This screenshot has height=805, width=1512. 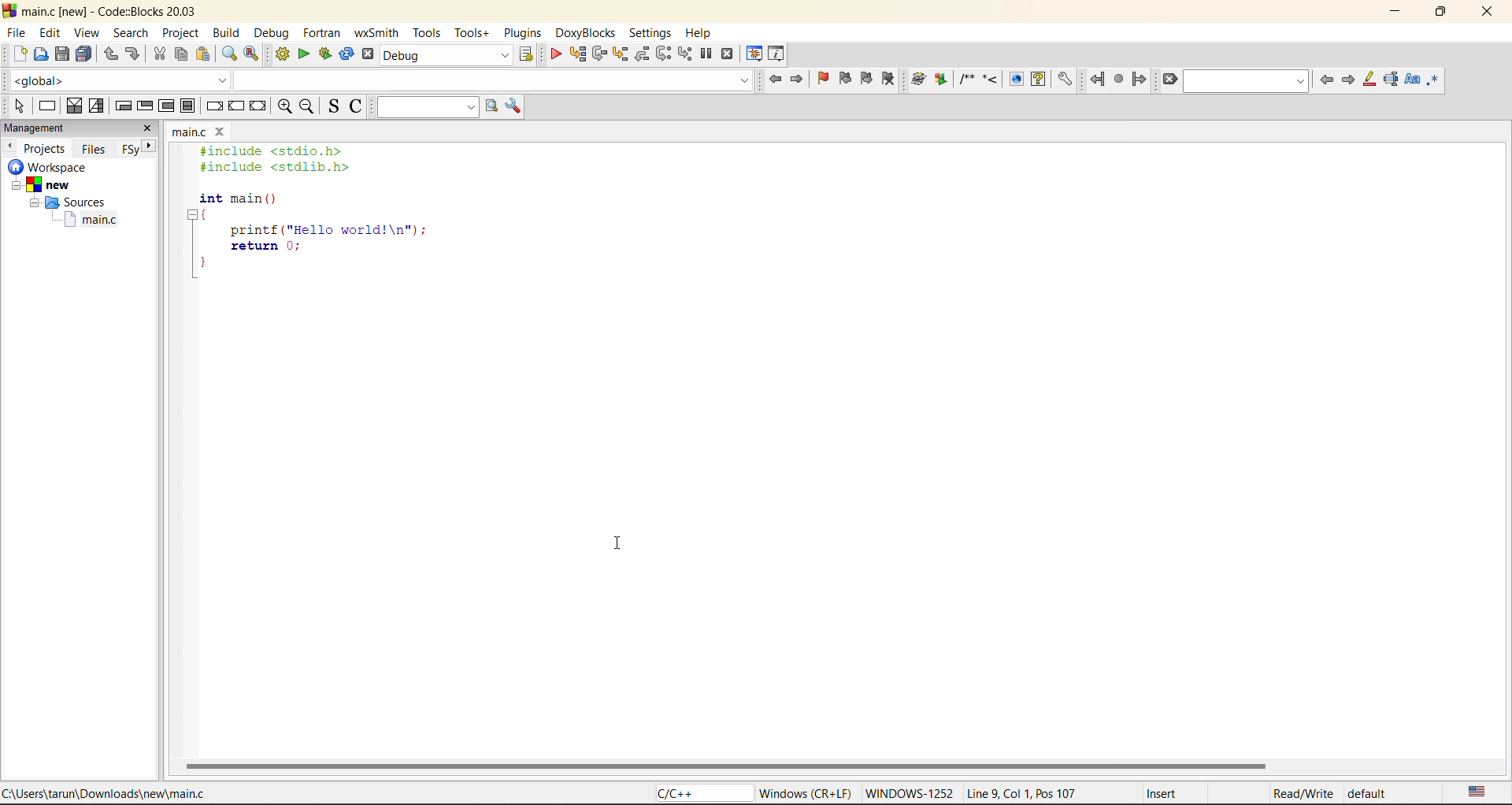 What do you see at coordinates (87, 33) in the screenshot?
I see `view` at bounding box center [87, 33].